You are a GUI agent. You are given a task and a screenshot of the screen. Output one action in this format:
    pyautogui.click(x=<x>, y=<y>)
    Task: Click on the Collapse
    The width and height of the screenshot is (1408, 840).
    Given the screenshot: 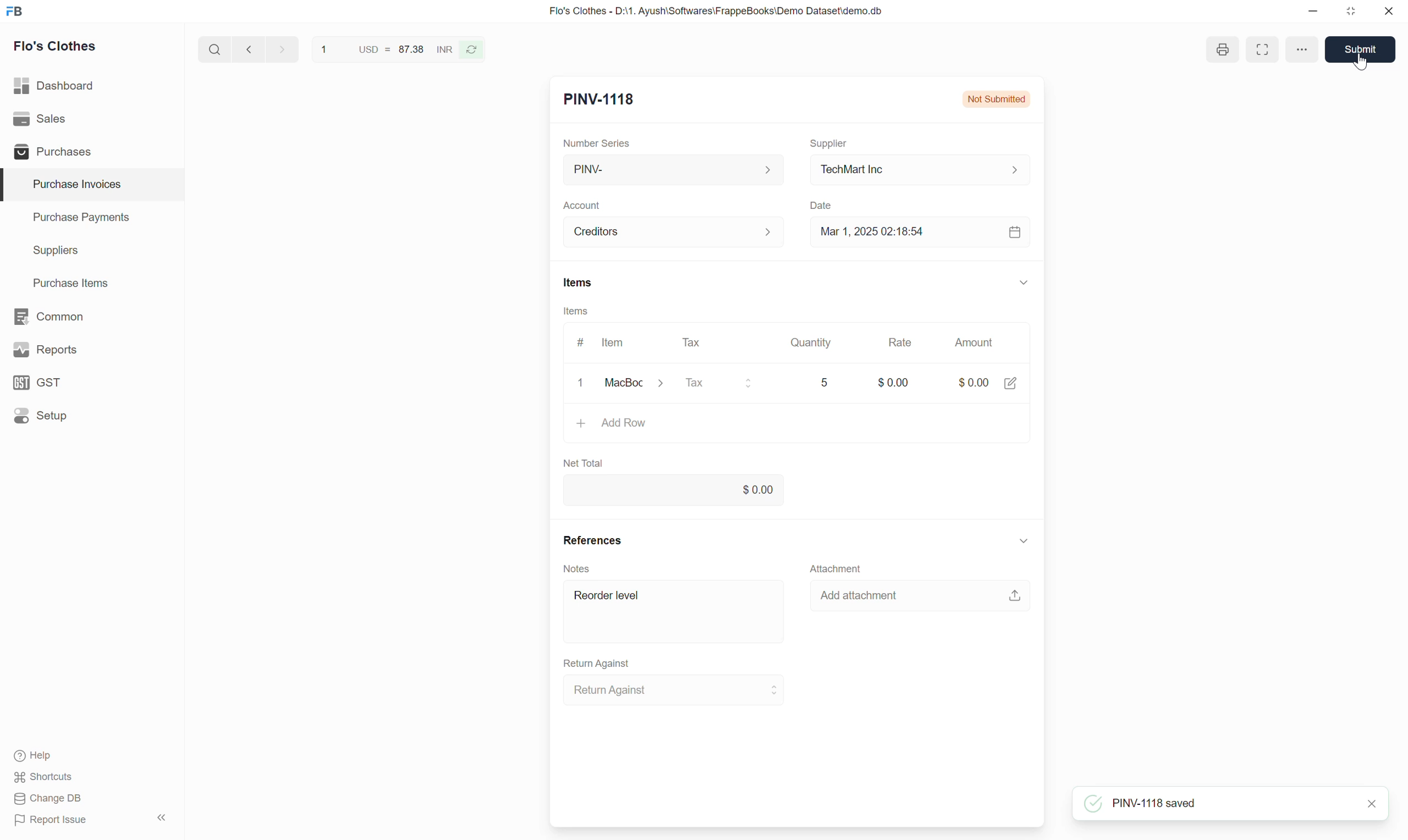 What is the action you would take?
    pyautogui.click(x=161, y=817)
    